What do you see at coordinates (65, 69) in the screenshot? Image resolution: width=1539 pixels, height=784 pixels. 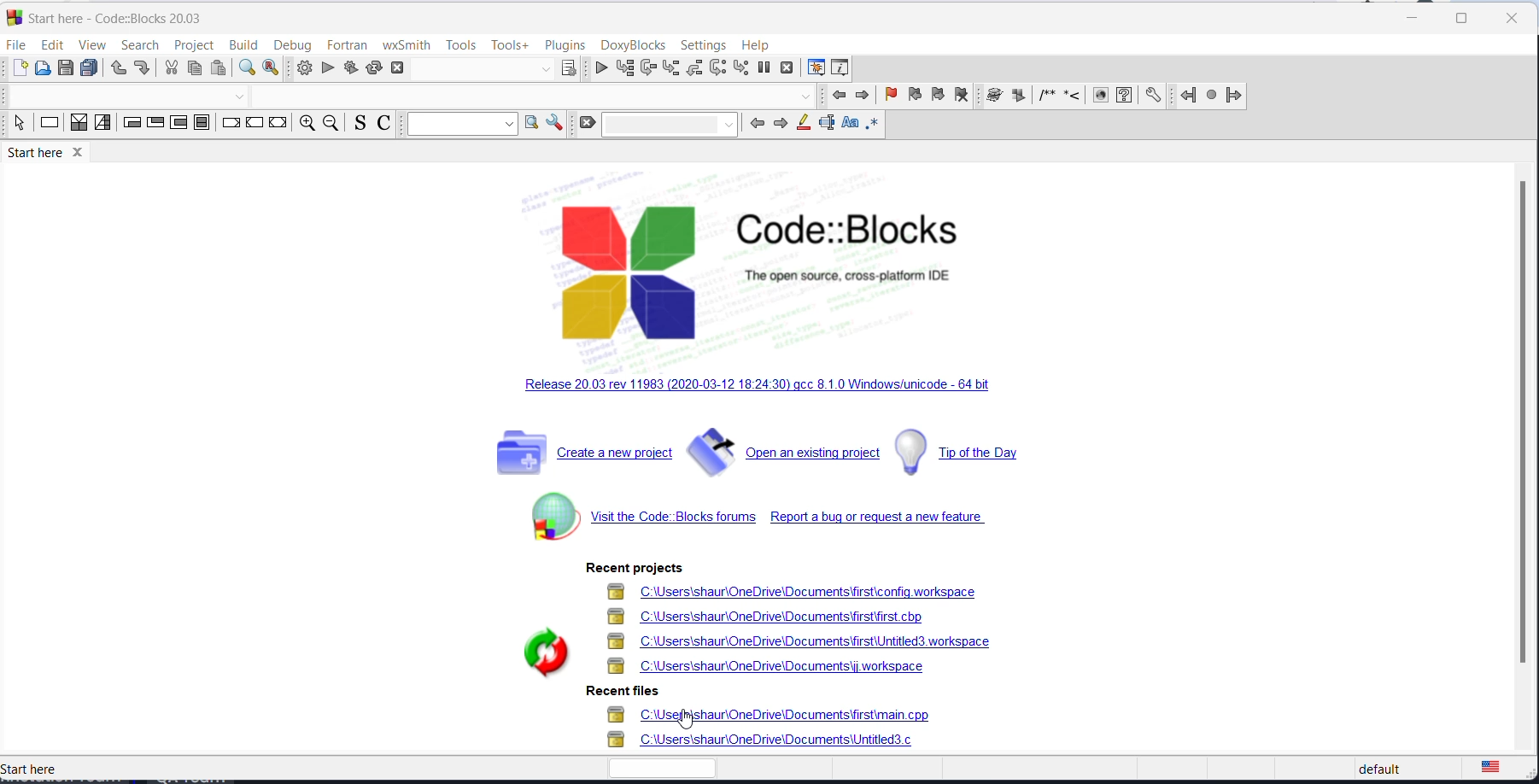 I see `SAVE` at bounding box center [65, 69].